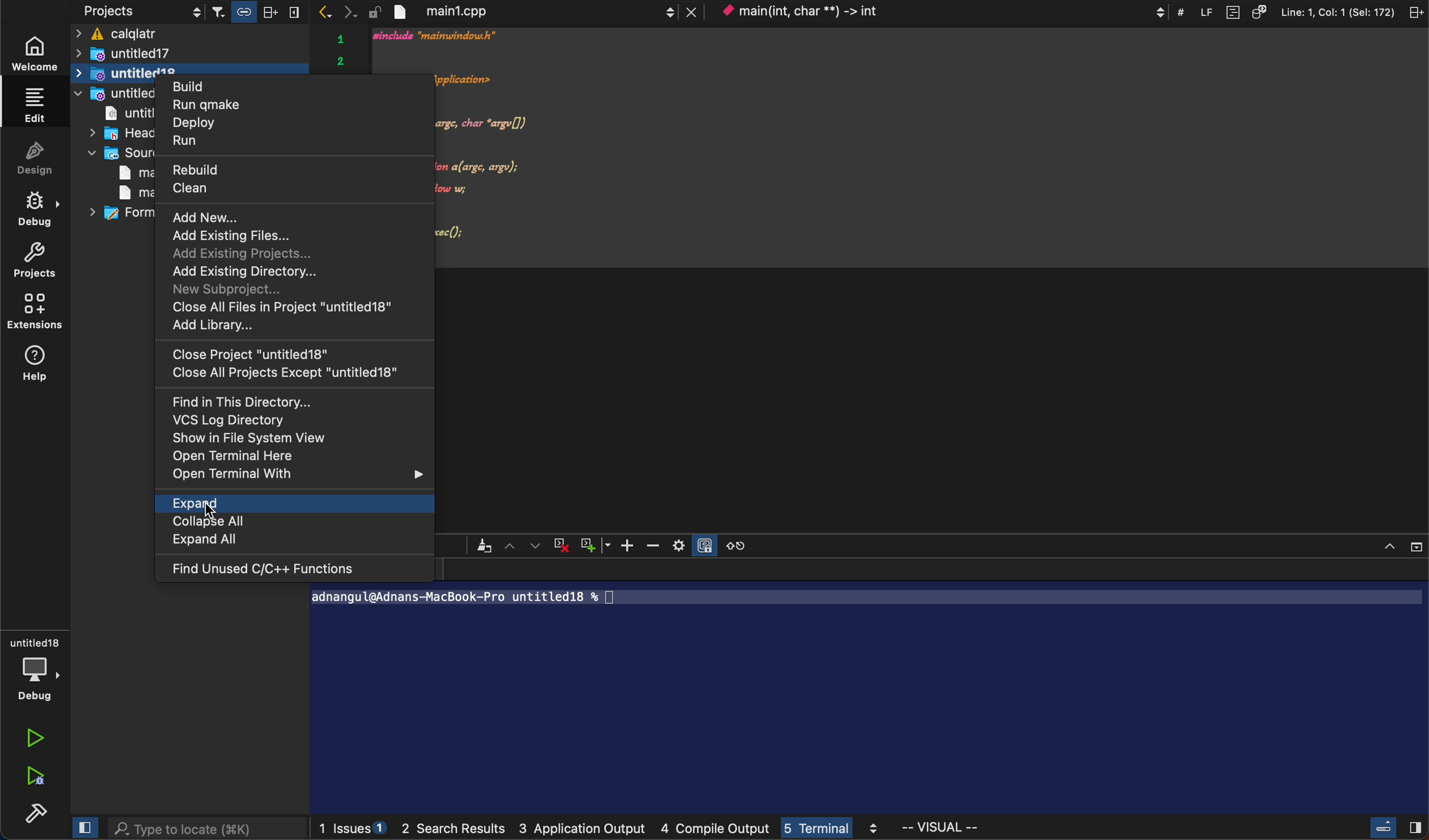  Describe the element at coordinates (40, 105) in the screenshot. I see `edit` at that location.